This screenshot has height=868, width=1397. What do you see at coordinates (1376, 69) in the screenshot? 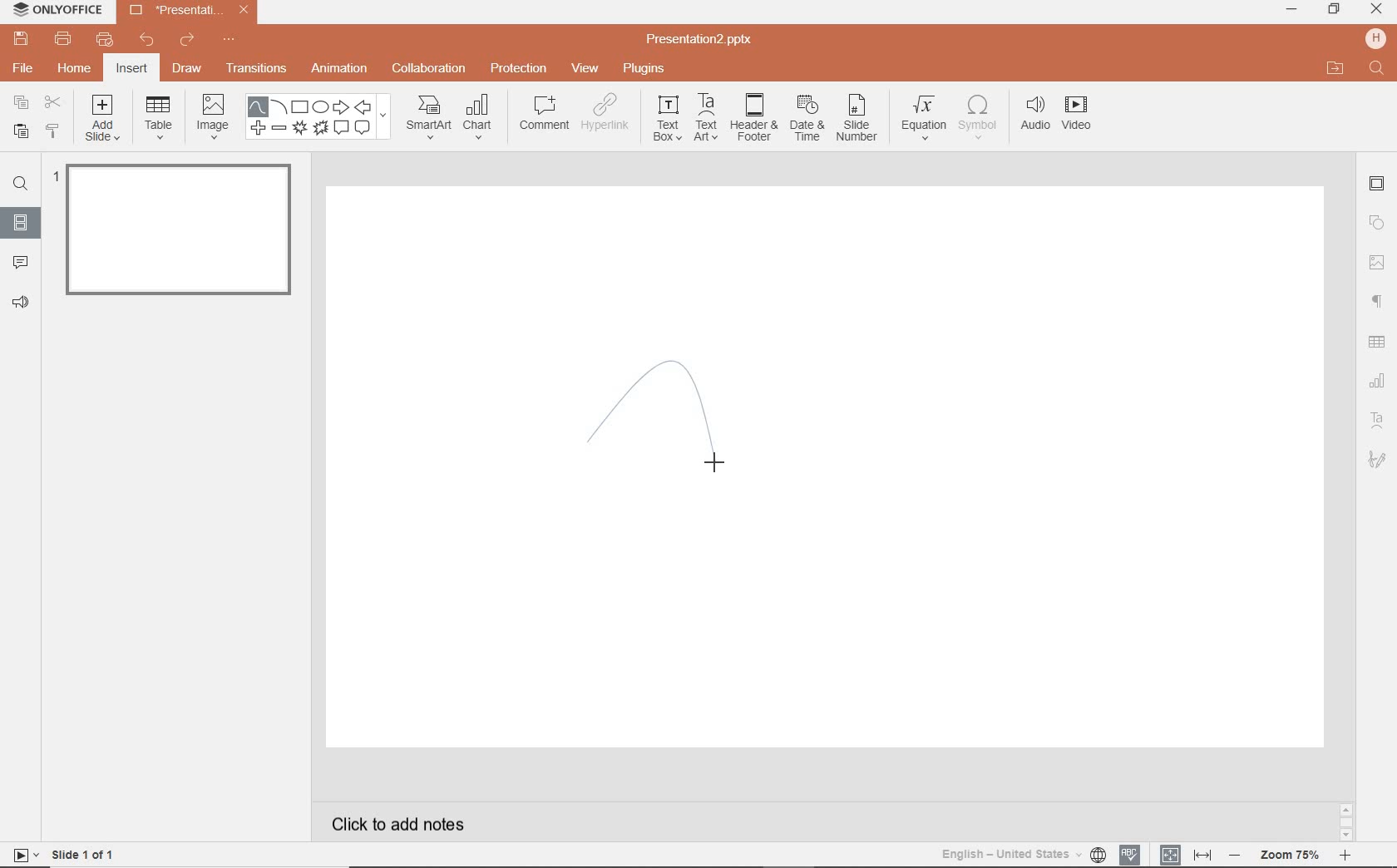
I see `FIND` at bounding box center [1376, 69].